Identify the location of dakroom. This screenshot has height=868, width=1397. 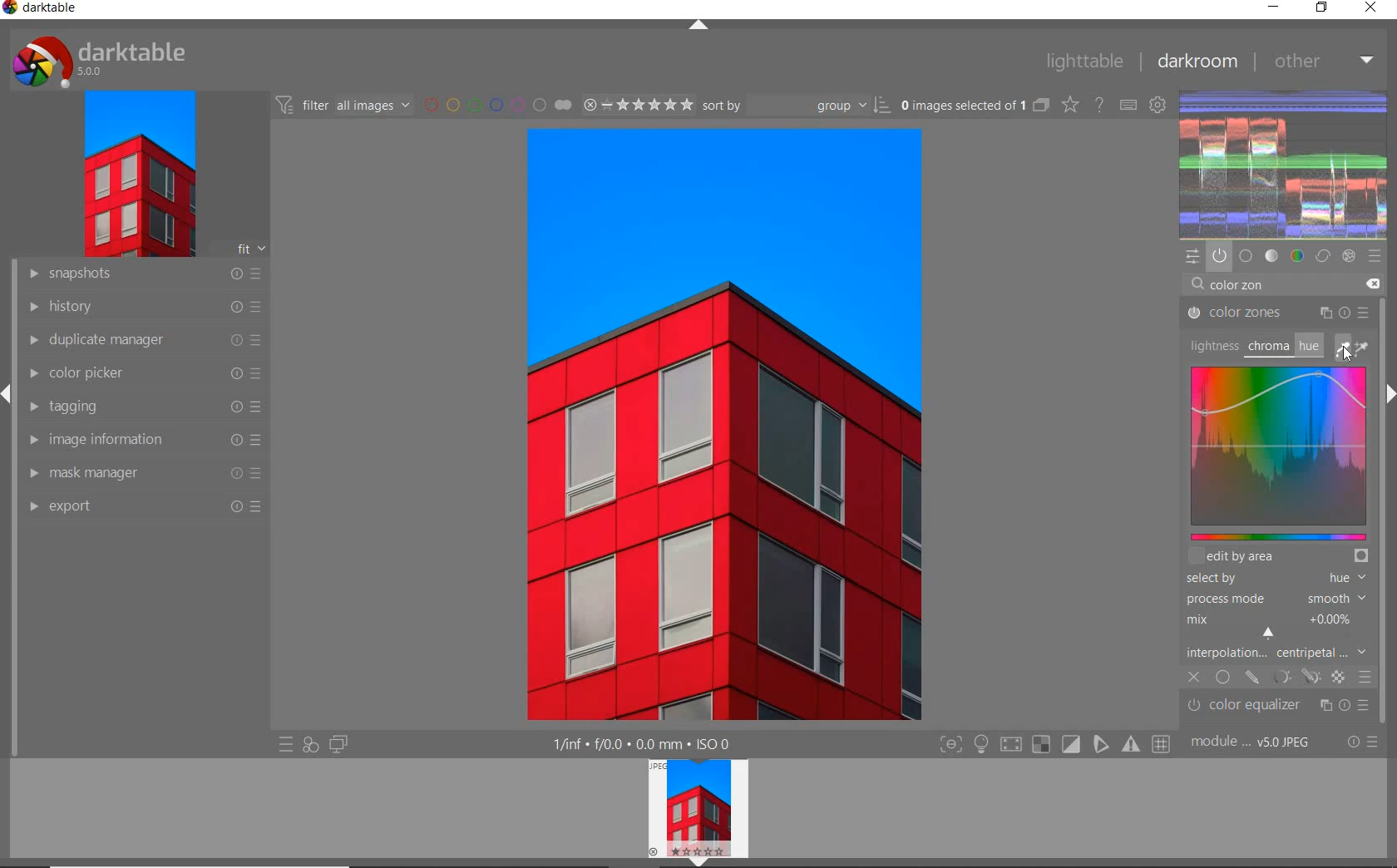
(1196, 61).